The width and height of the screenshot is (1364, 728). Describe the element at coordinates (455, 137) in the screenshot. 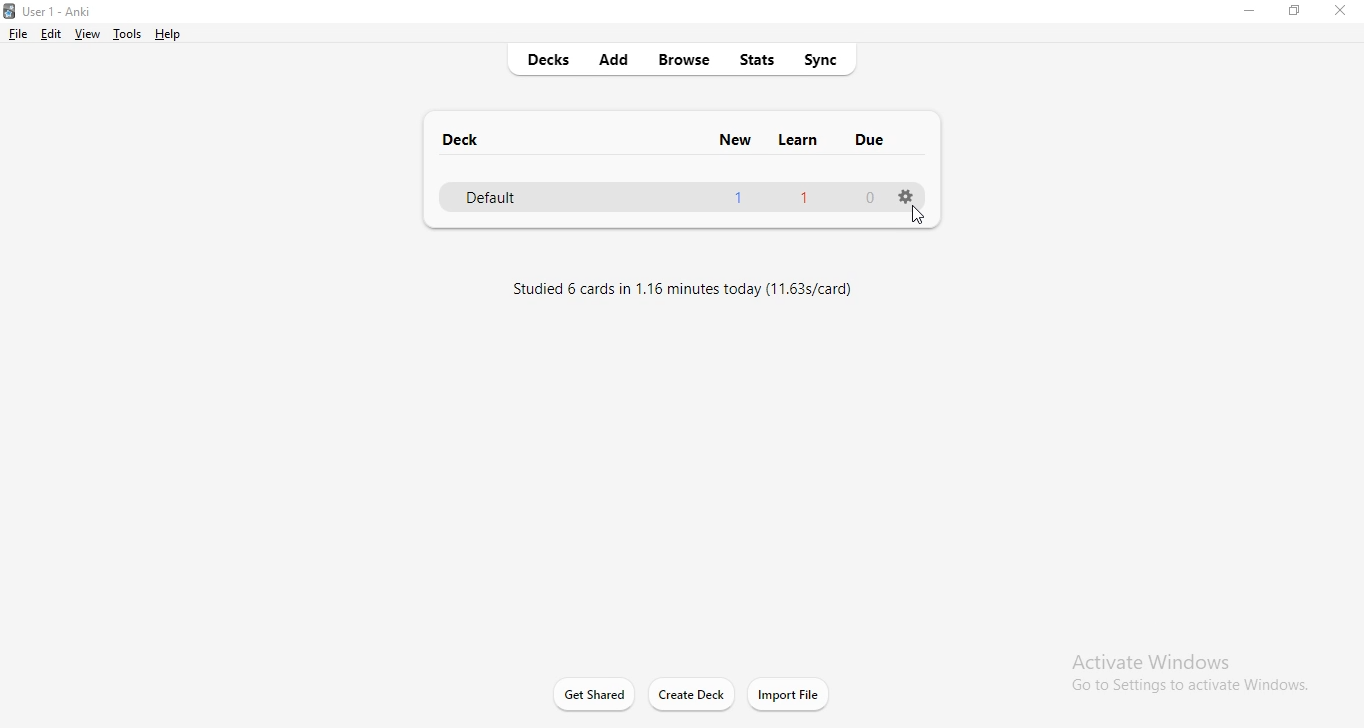

I see `deck` at that location.